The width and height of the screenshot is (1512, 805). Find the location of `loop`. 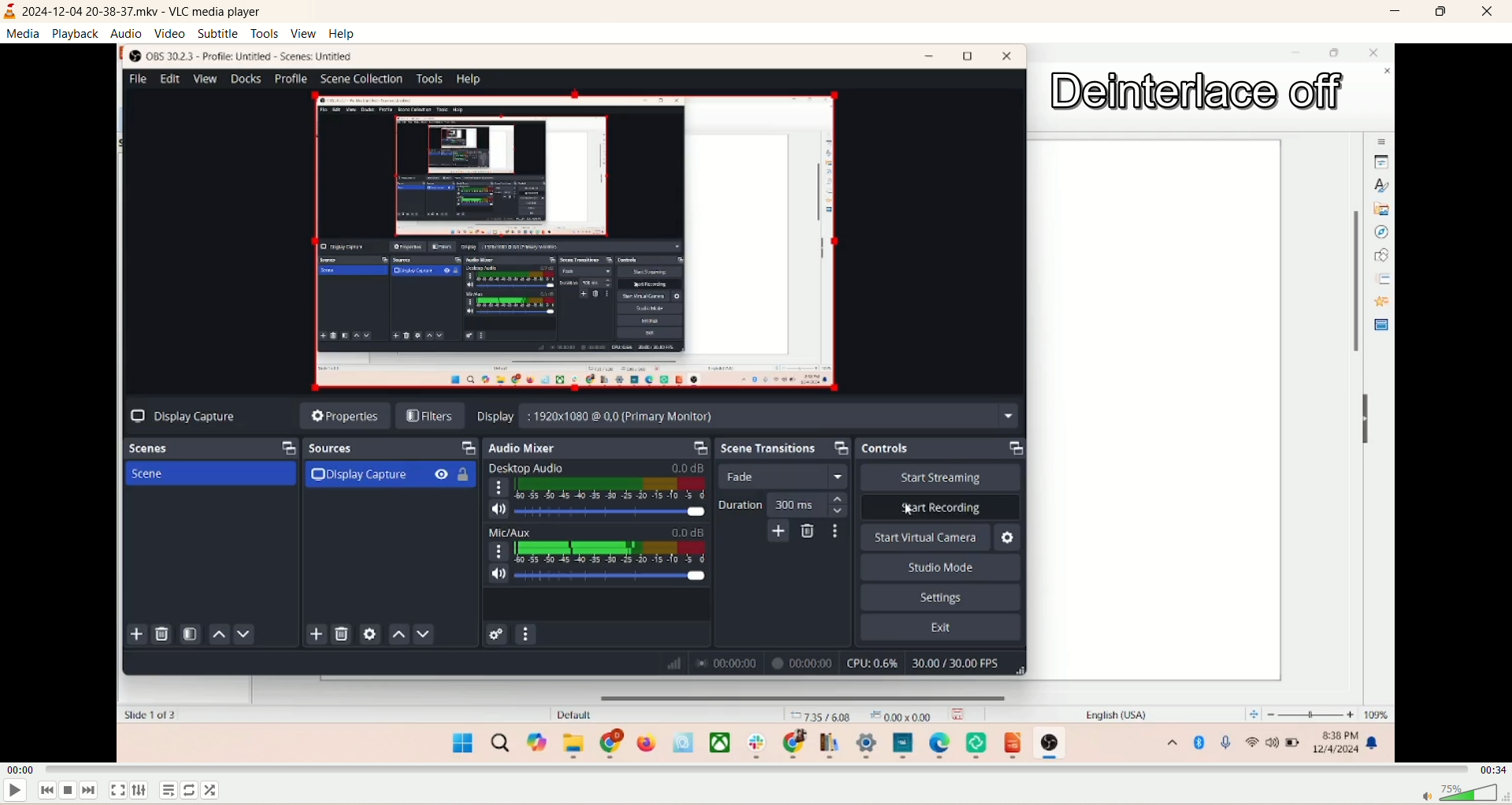

loop is located at coordinates (191, 793).